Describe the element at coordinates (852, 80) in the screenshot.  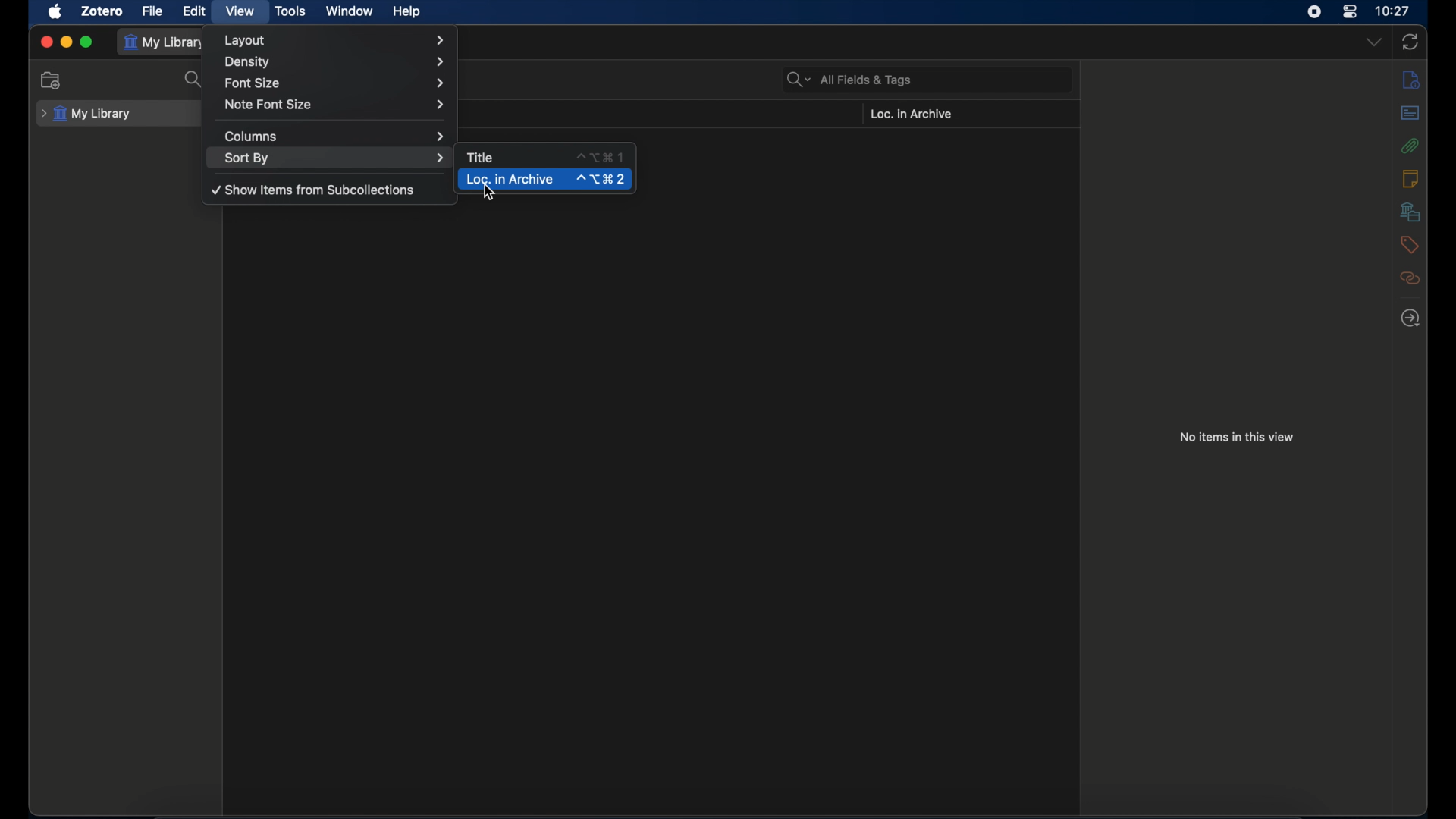
I see `all fields & tags` at that location.